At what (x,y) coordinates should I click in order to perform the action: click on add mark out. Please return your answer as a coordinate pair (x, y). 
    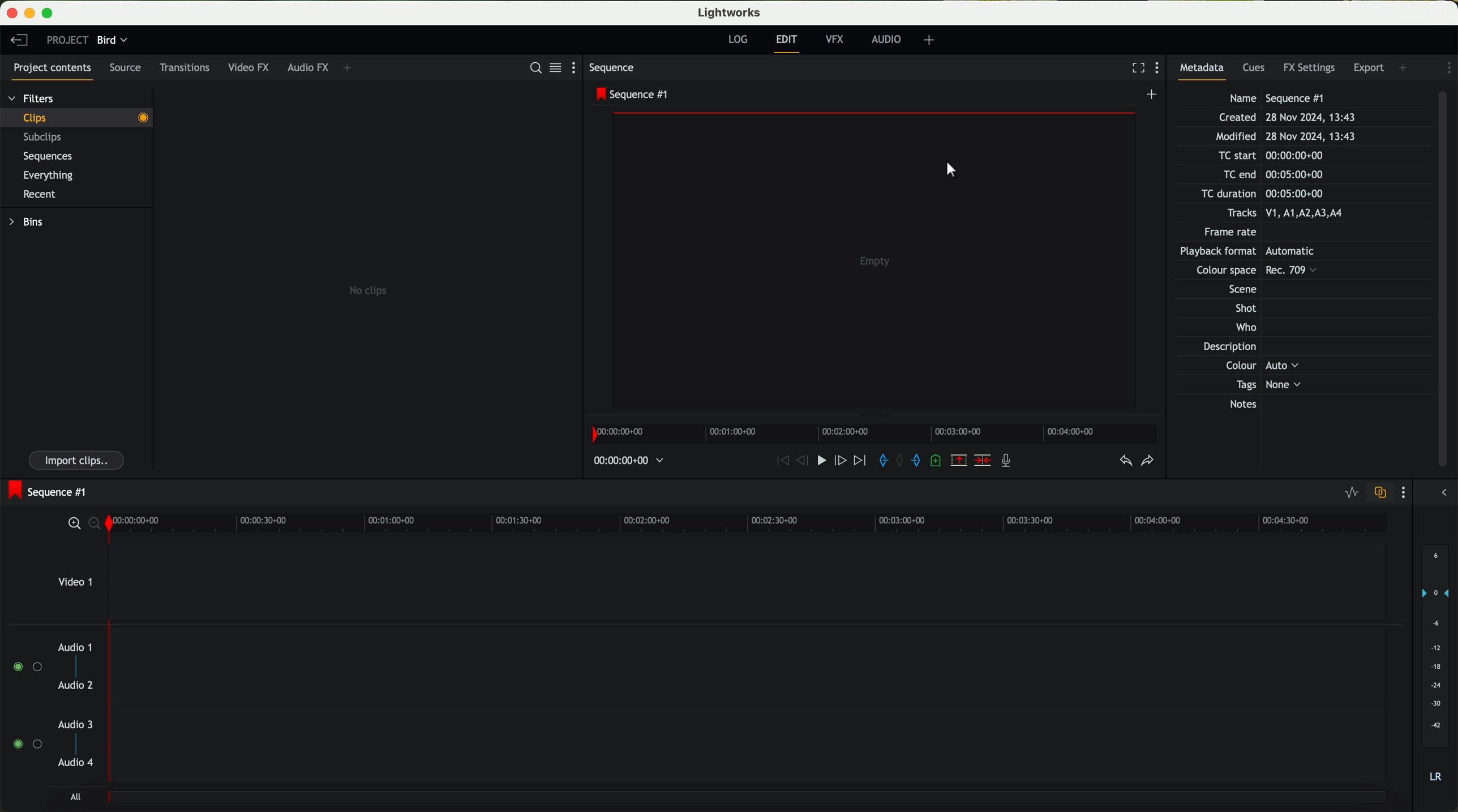
    Looking at the image, I should click on (921, 463).